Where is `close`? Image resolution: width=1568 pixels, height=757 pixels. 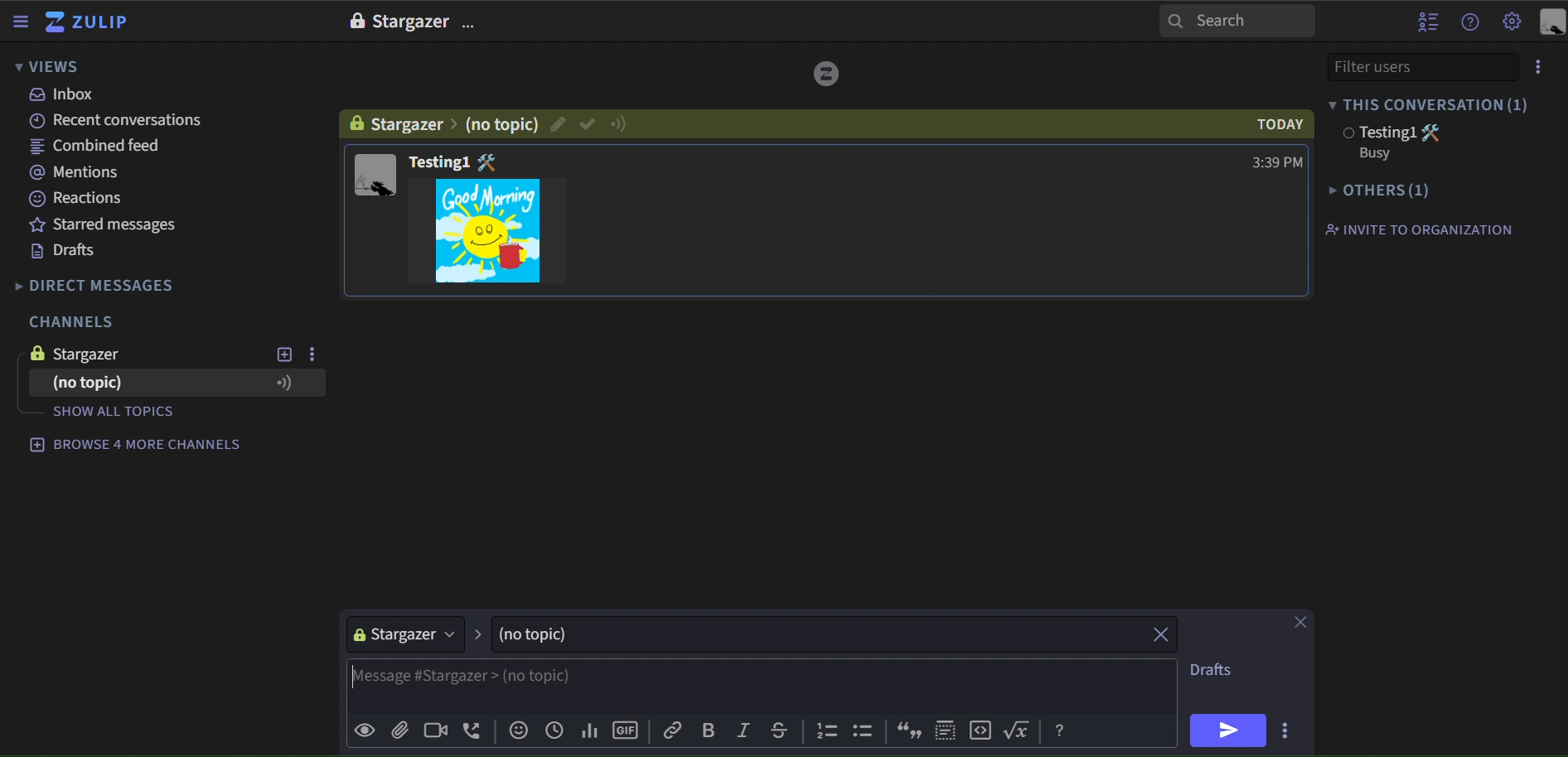 close is located at coordinates (1163, 634).